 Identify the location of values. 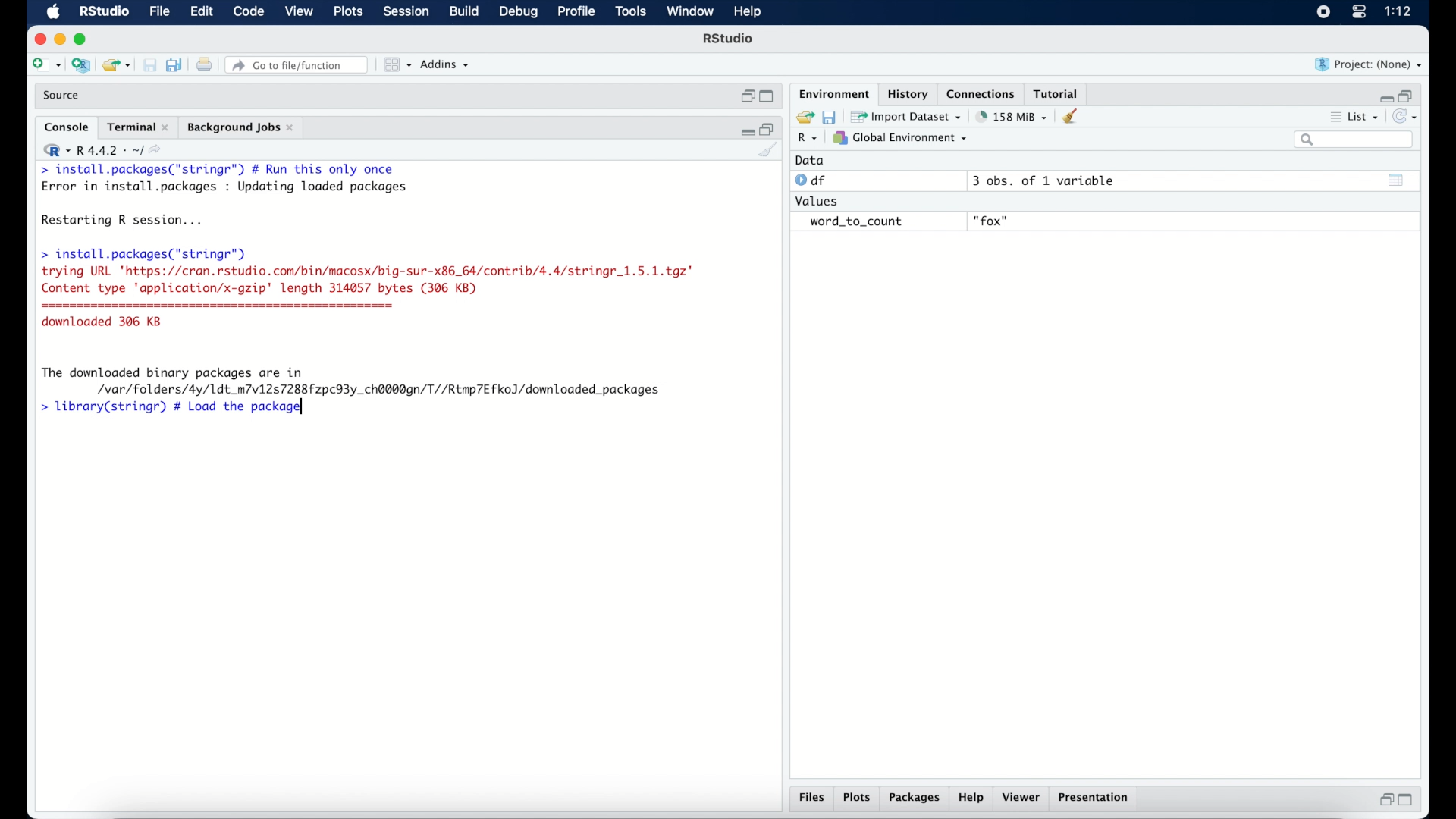
(818, 199).